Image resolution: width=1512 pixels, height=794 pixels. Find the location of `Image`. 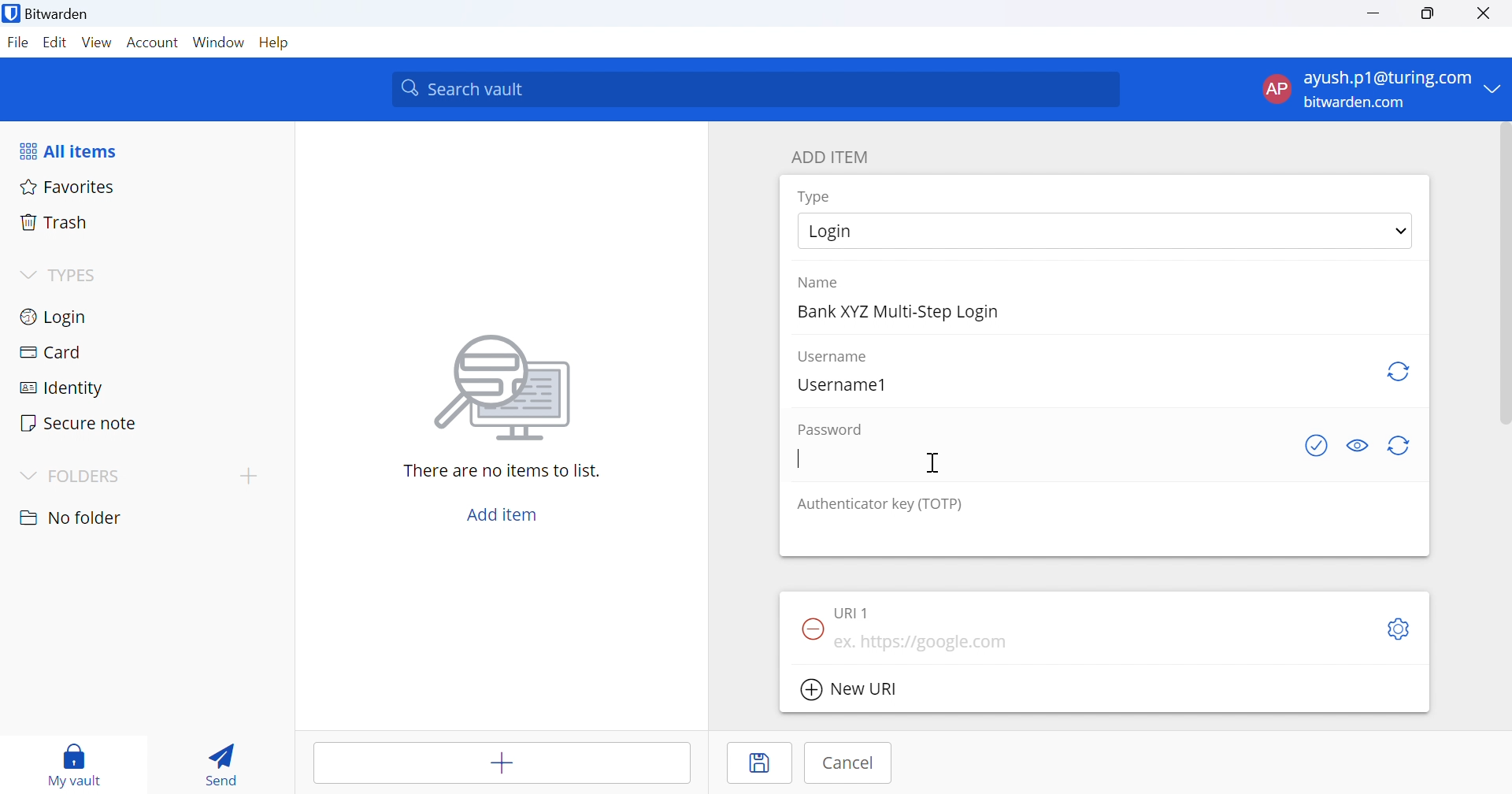

Image is located at coordinates (505, 388).